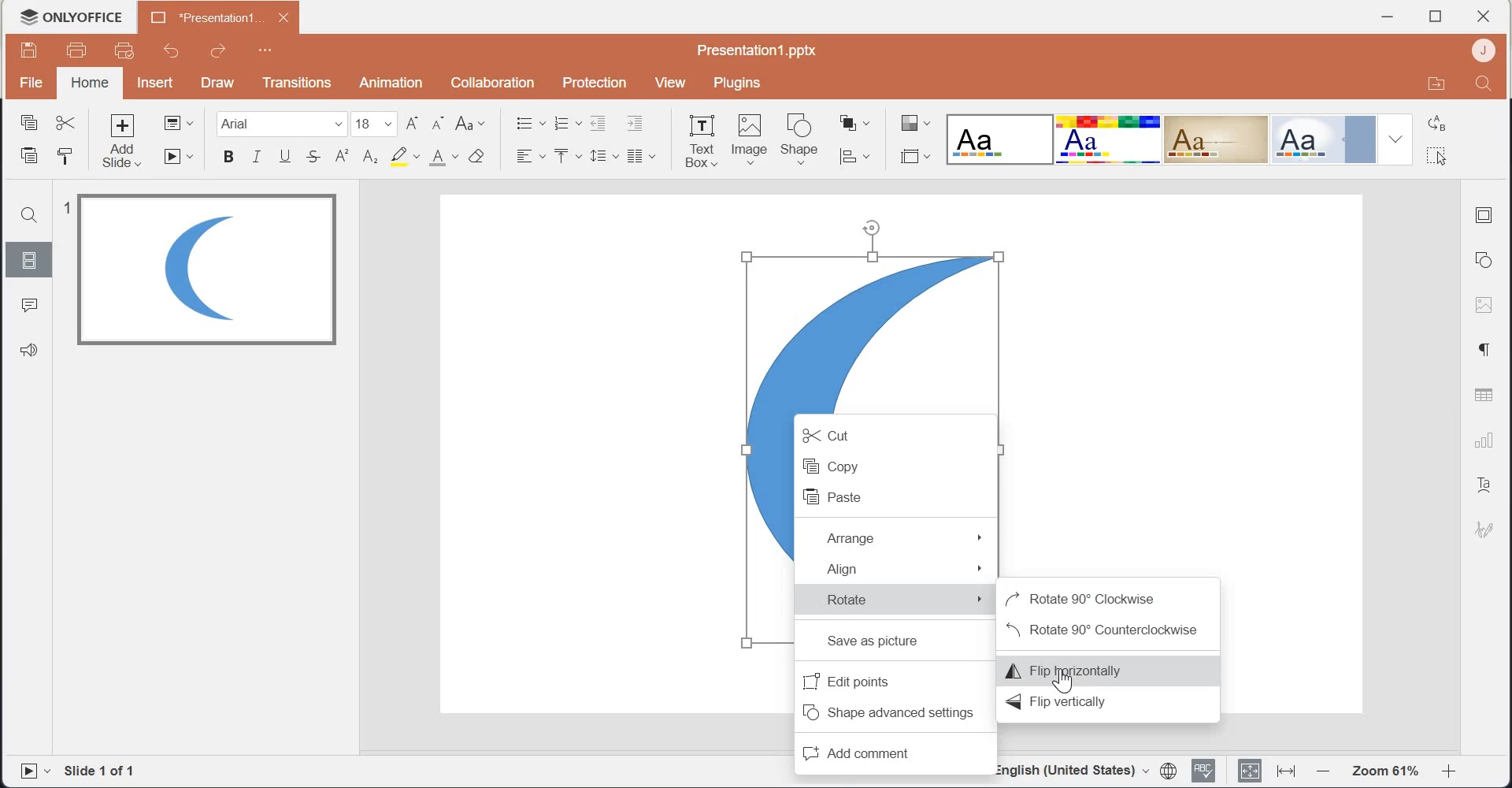  What do you see at coordinates (340, 157) in the screenshot?
I see `Superscript` at bounding box center [340, 157].